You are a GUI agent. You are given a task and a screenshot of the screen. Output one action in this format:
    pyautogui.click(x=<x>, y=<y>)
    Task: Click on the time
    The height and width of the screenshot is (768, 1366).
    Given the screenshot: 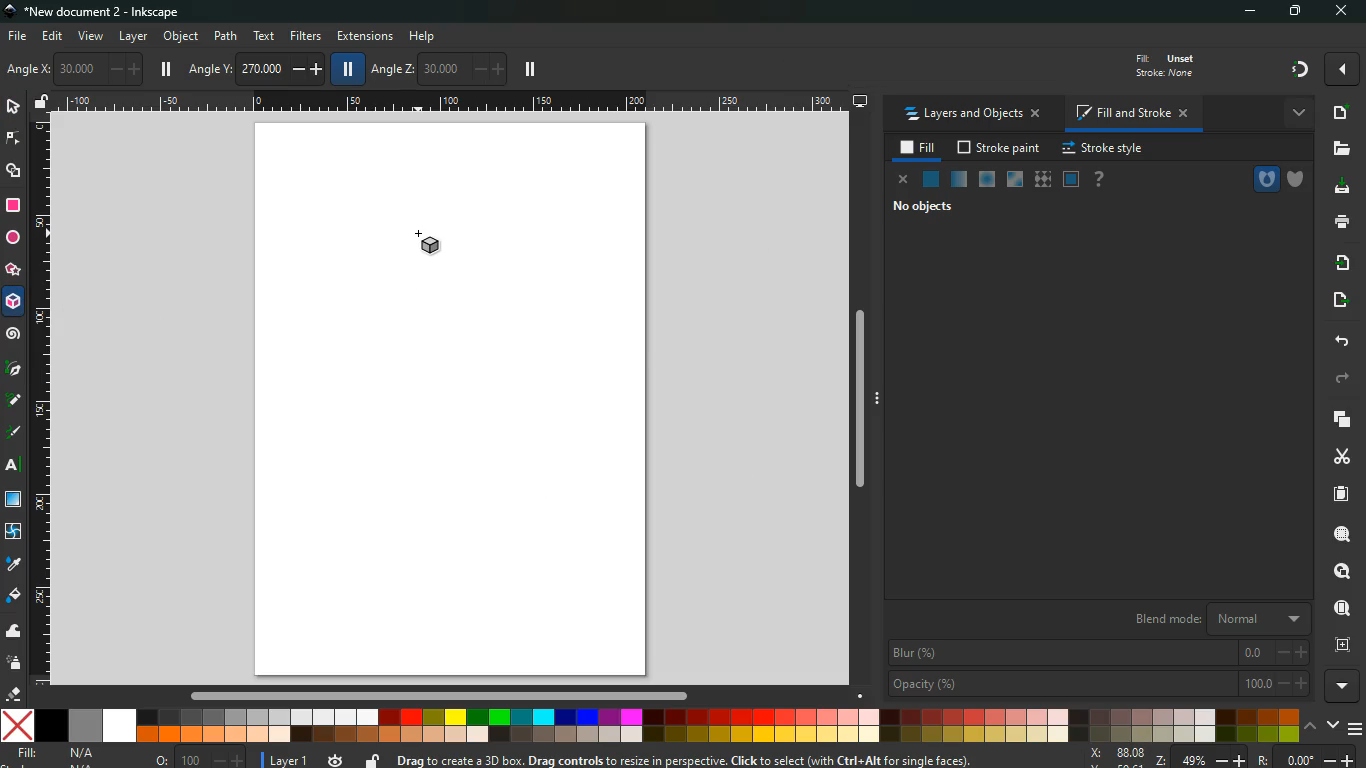 What is the action you would take?
    pyautogui.click(x=336, y=756)
    